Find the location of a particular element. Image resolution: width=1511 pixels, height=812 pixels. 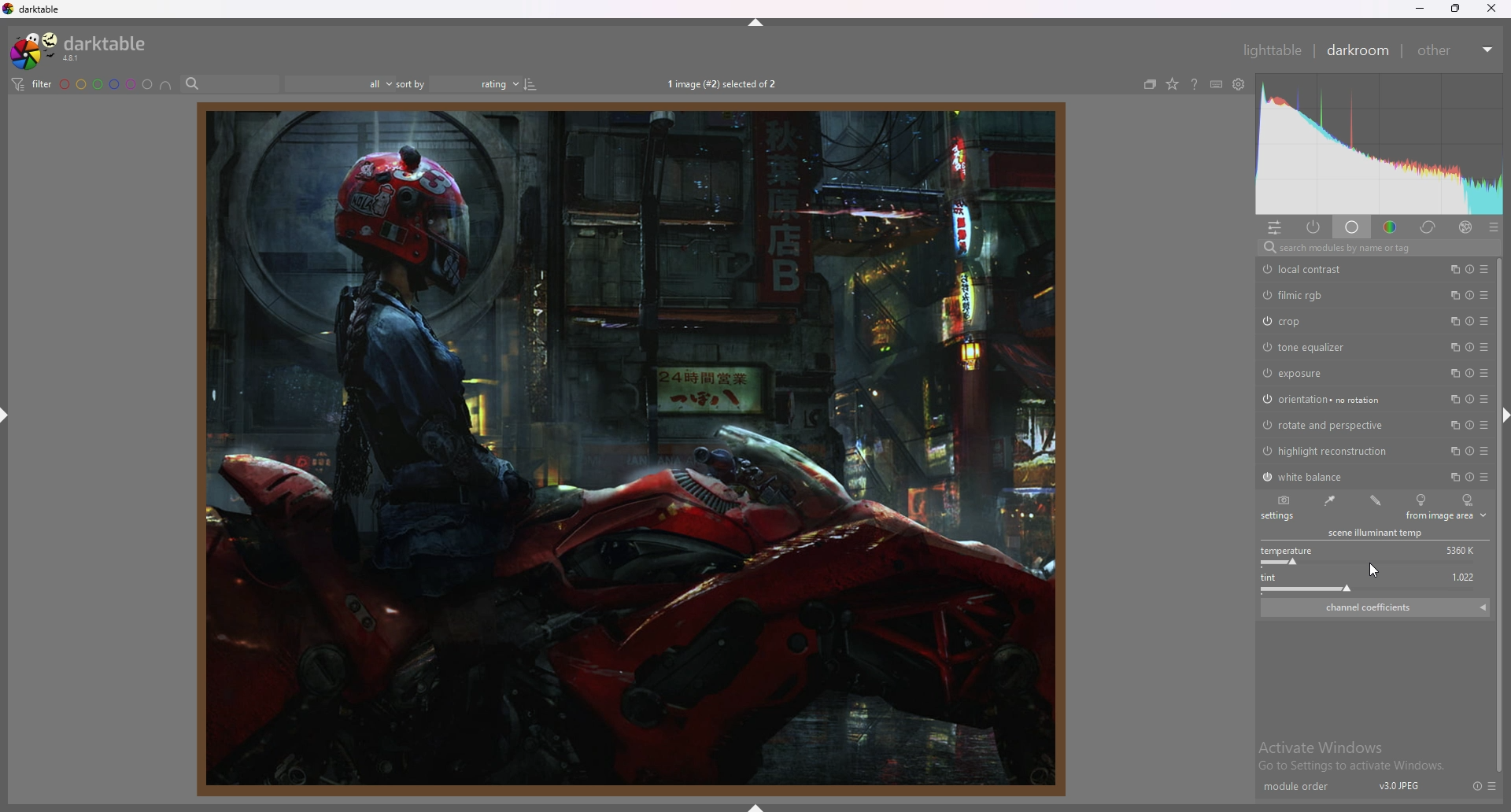

multiple instances action is located at coordinates (1453, 451).